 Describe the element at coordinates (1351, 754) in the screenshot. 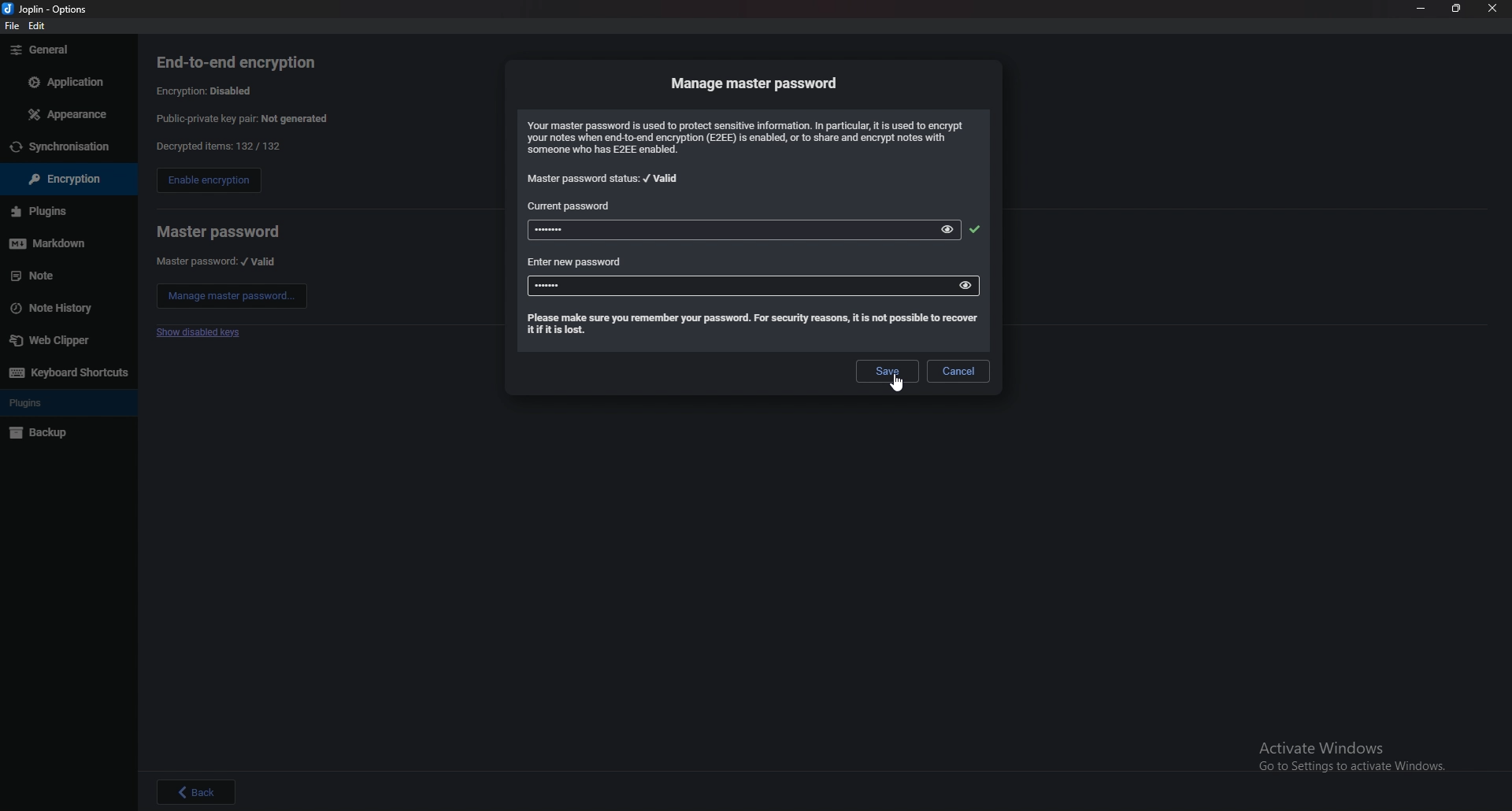

I see `Activate Windows` at that location.